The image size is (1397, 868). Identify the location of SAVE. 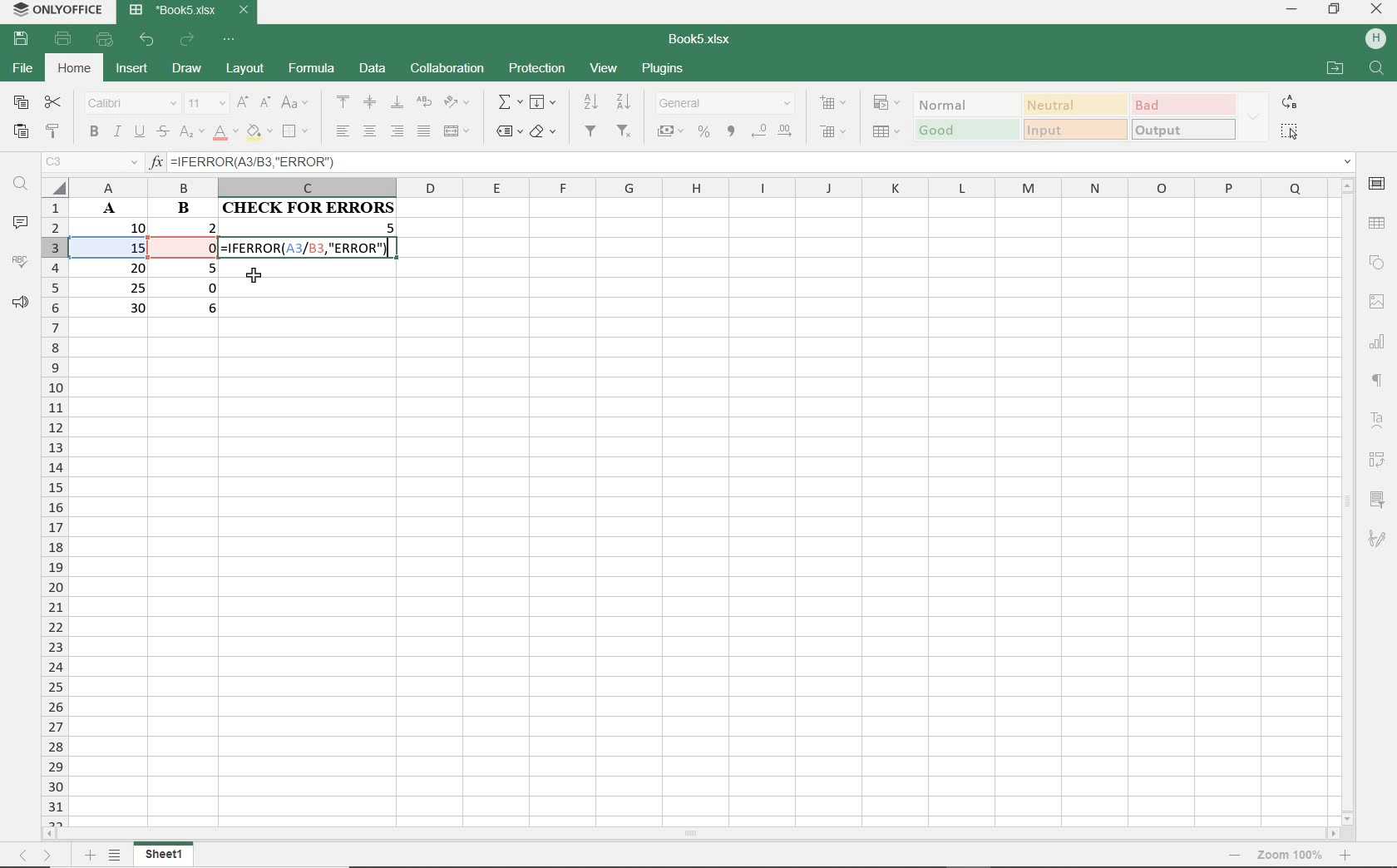
(18, 41).